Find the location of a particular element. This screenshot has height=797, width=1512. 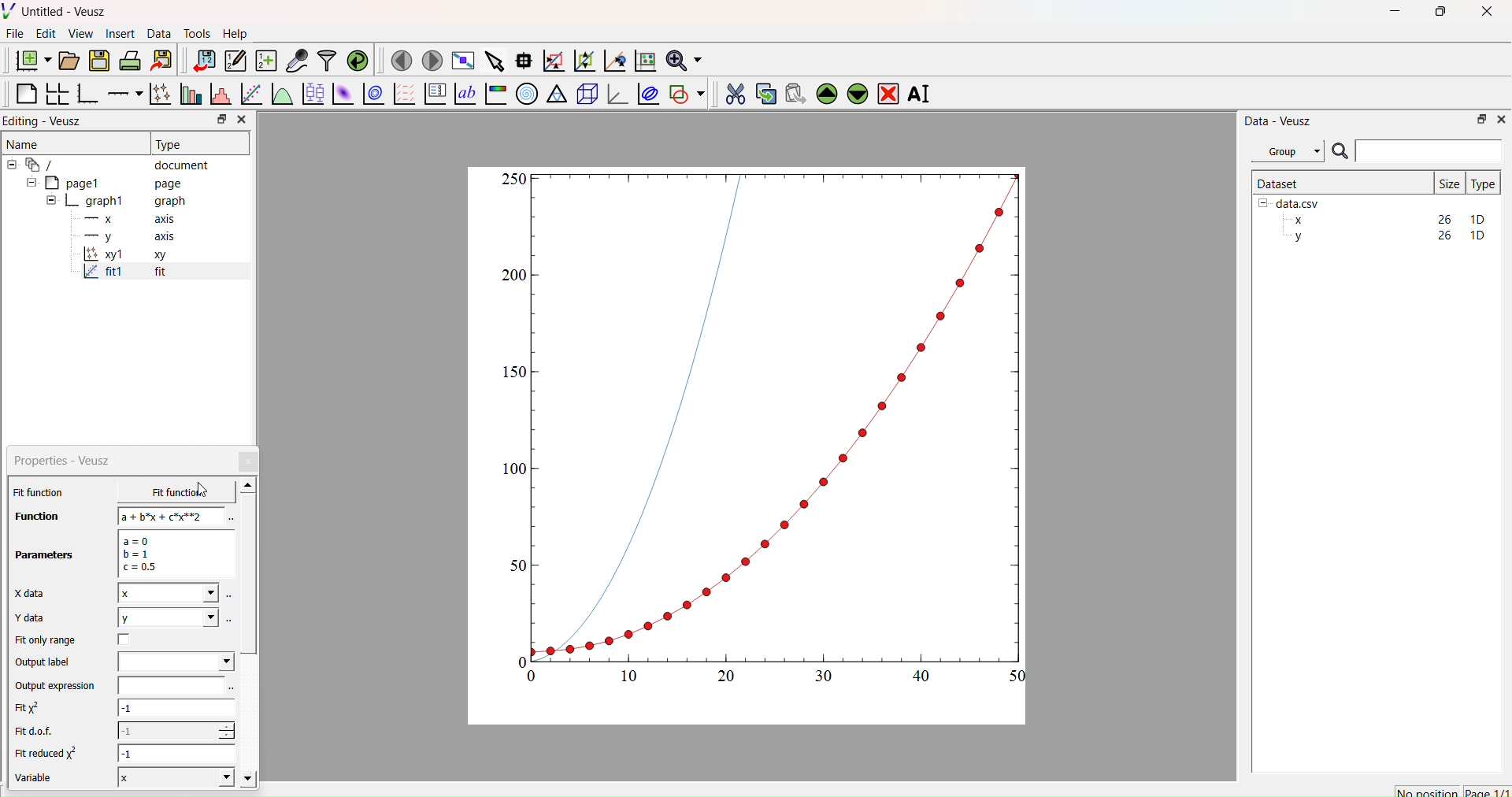

Graph is located at coordinates (766, 427).